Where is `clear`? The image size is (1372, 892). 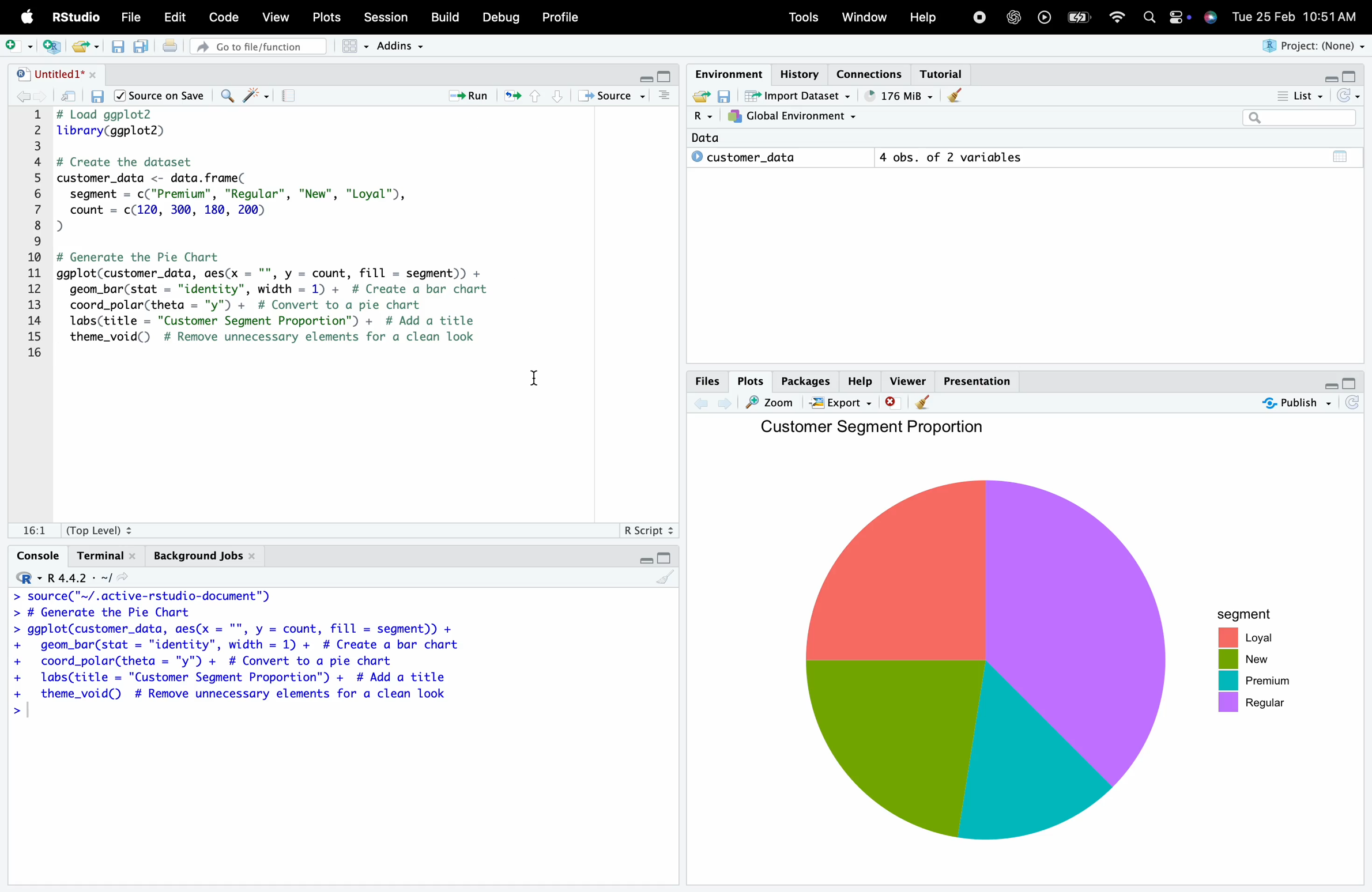
clear is located at coordinates (949, 96).